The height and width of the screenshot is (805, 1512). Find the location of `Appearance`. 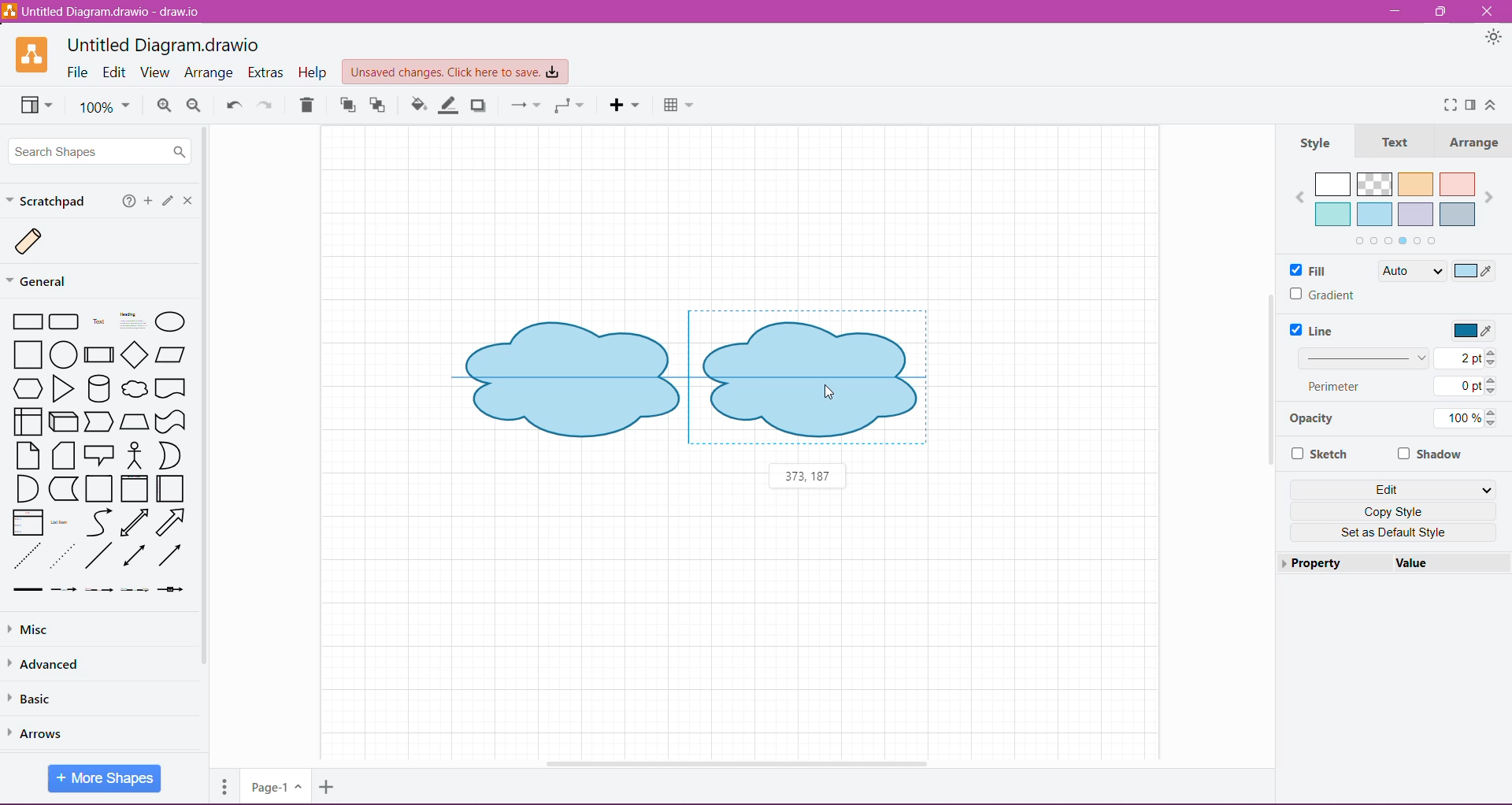

Appearance is located at coordinates (1493, 39).